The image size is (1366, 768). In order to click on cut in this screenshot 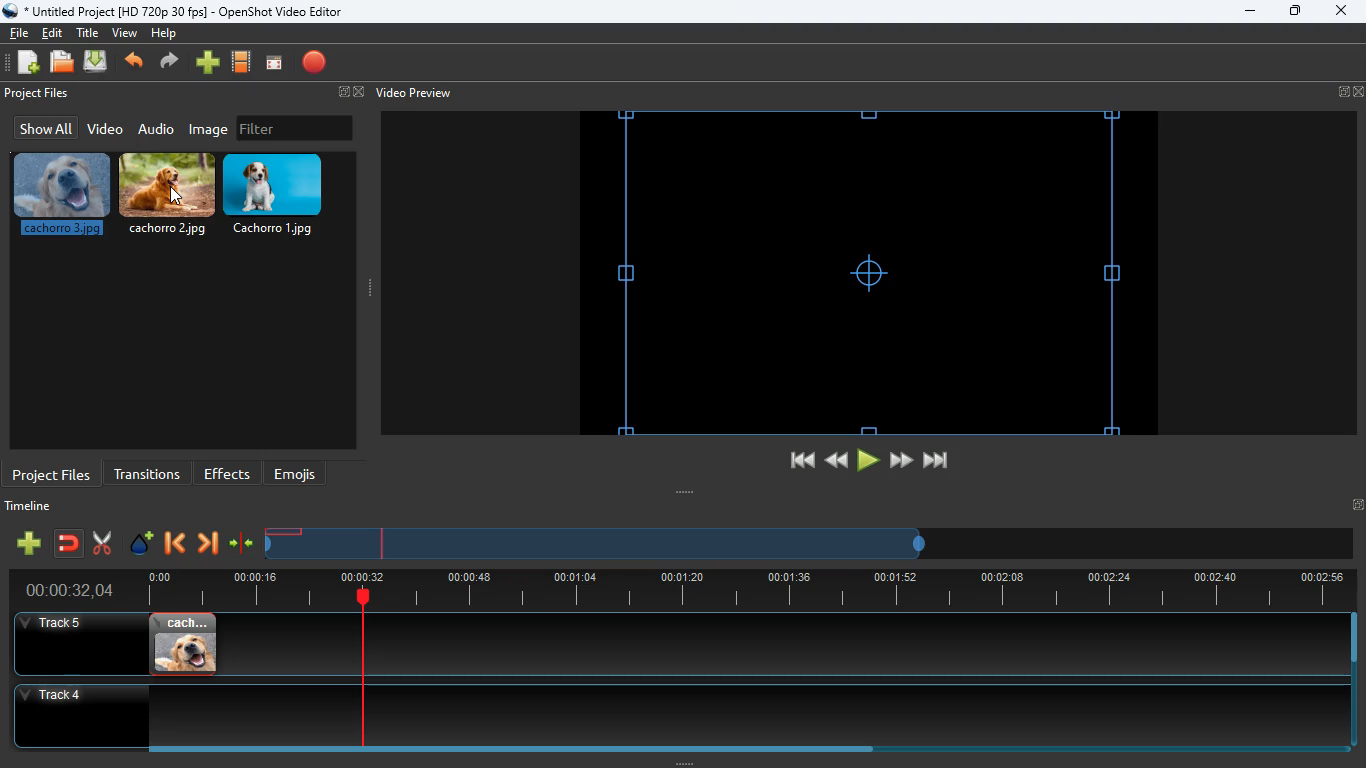, I will do `click(102, 543)`.